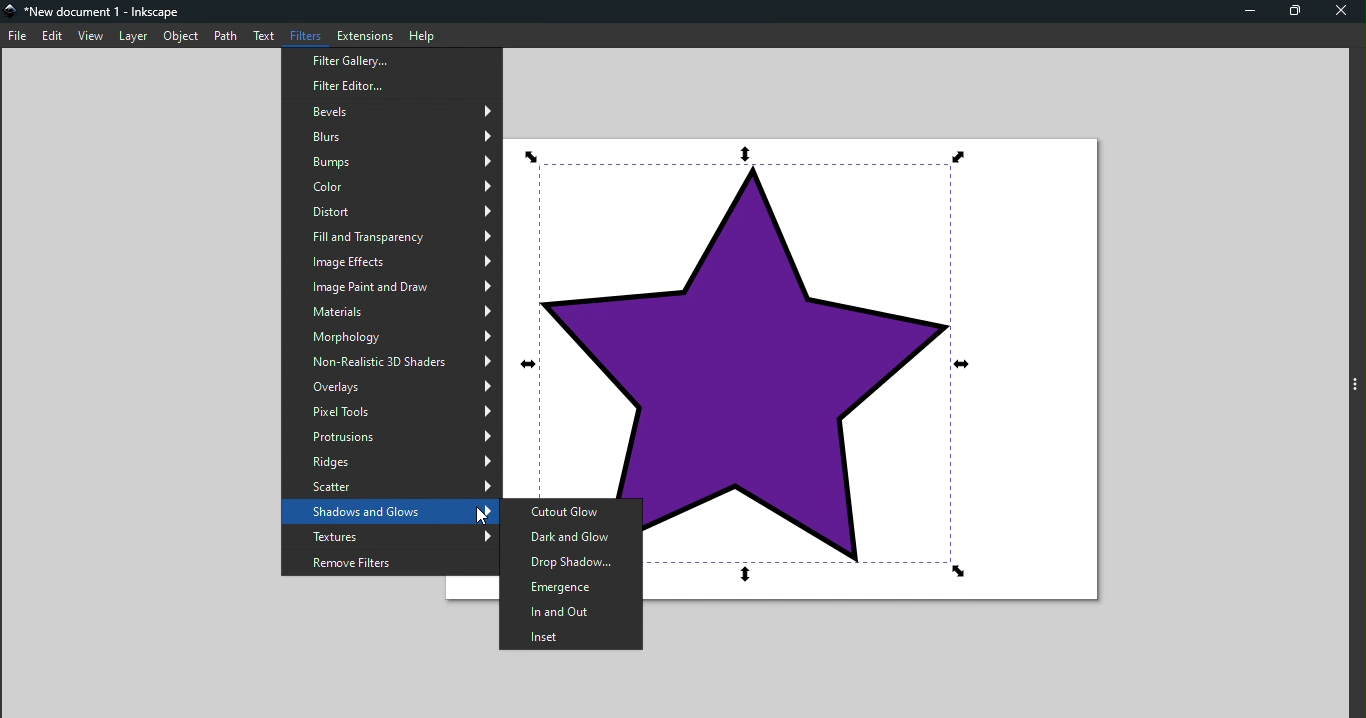 This screenshot has width=1366, height=718. I want to click on Filters, so click(305, 35).